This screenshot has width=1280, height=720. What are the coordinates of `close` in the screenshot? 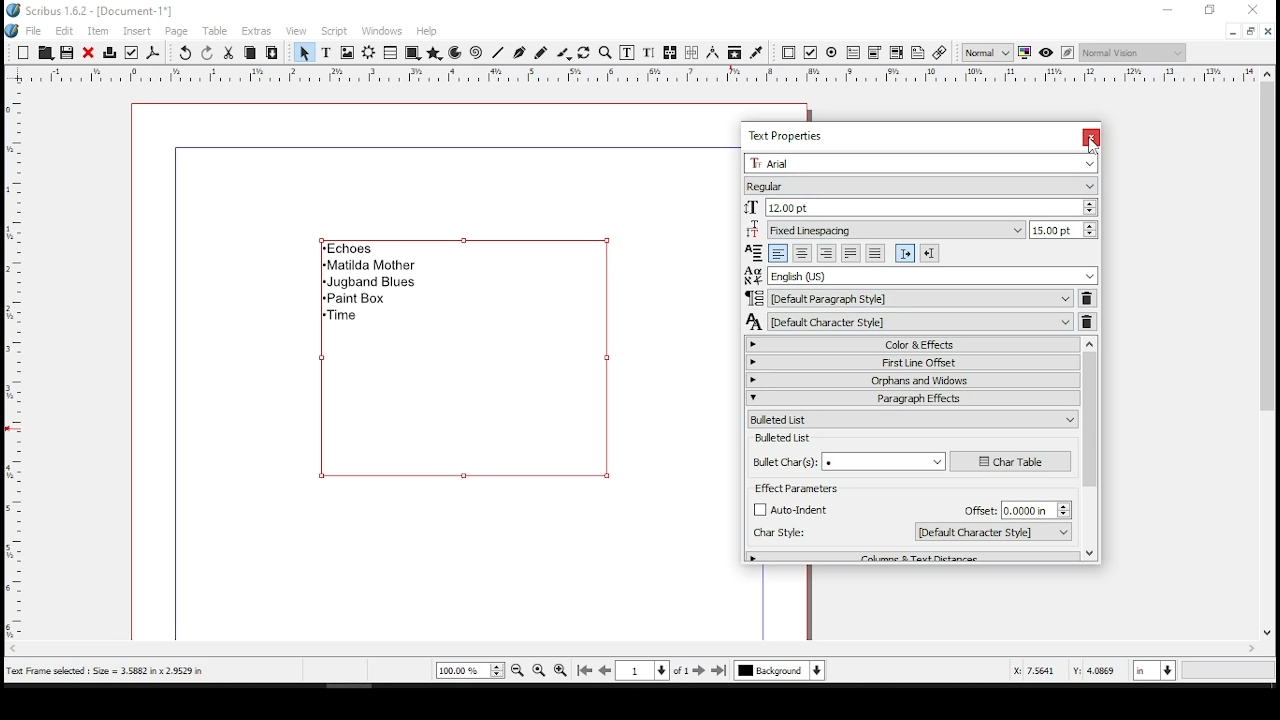 It's located at (88, 52).